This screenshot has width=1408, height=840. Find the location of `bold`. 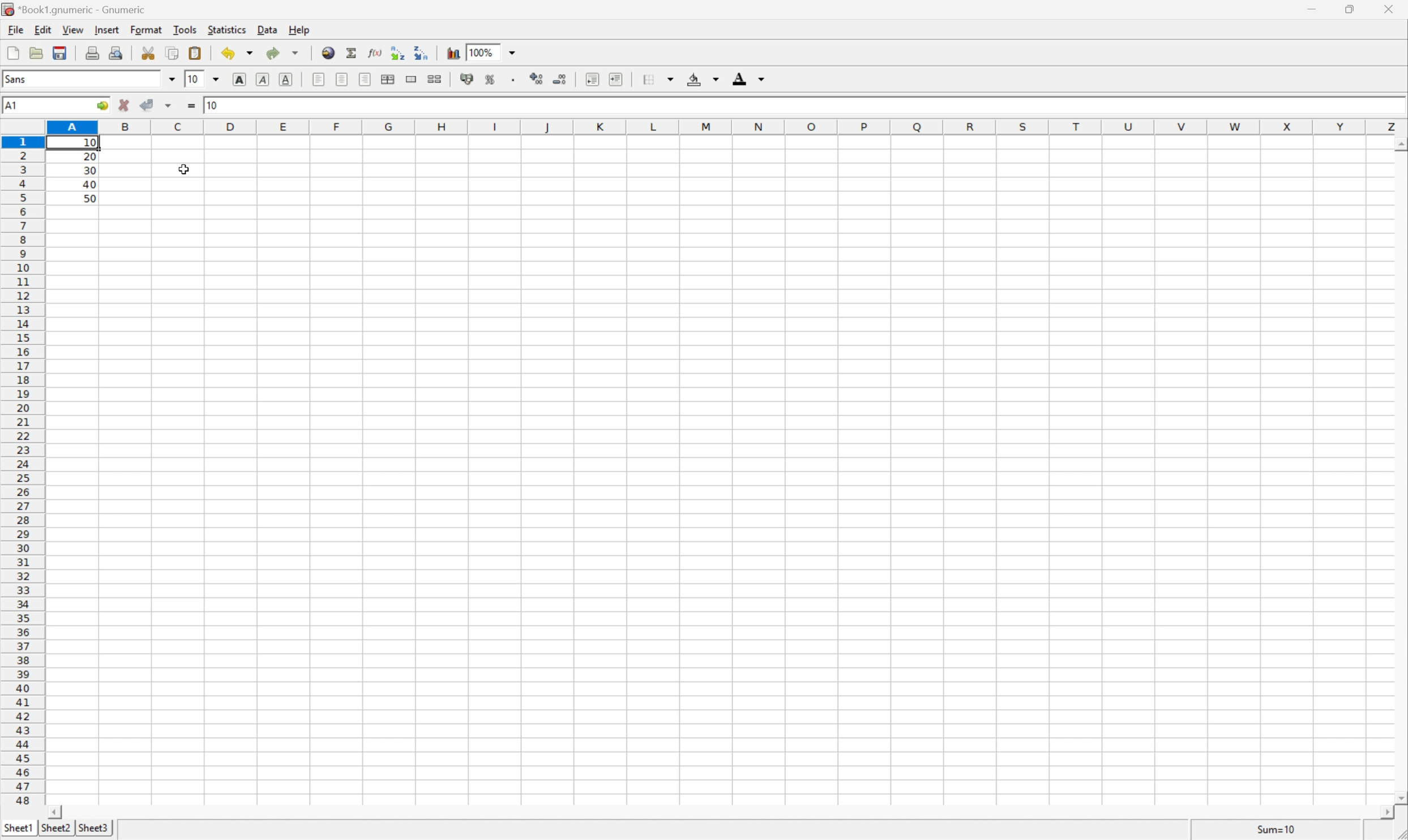

bold is located at coordinates (239, 79).